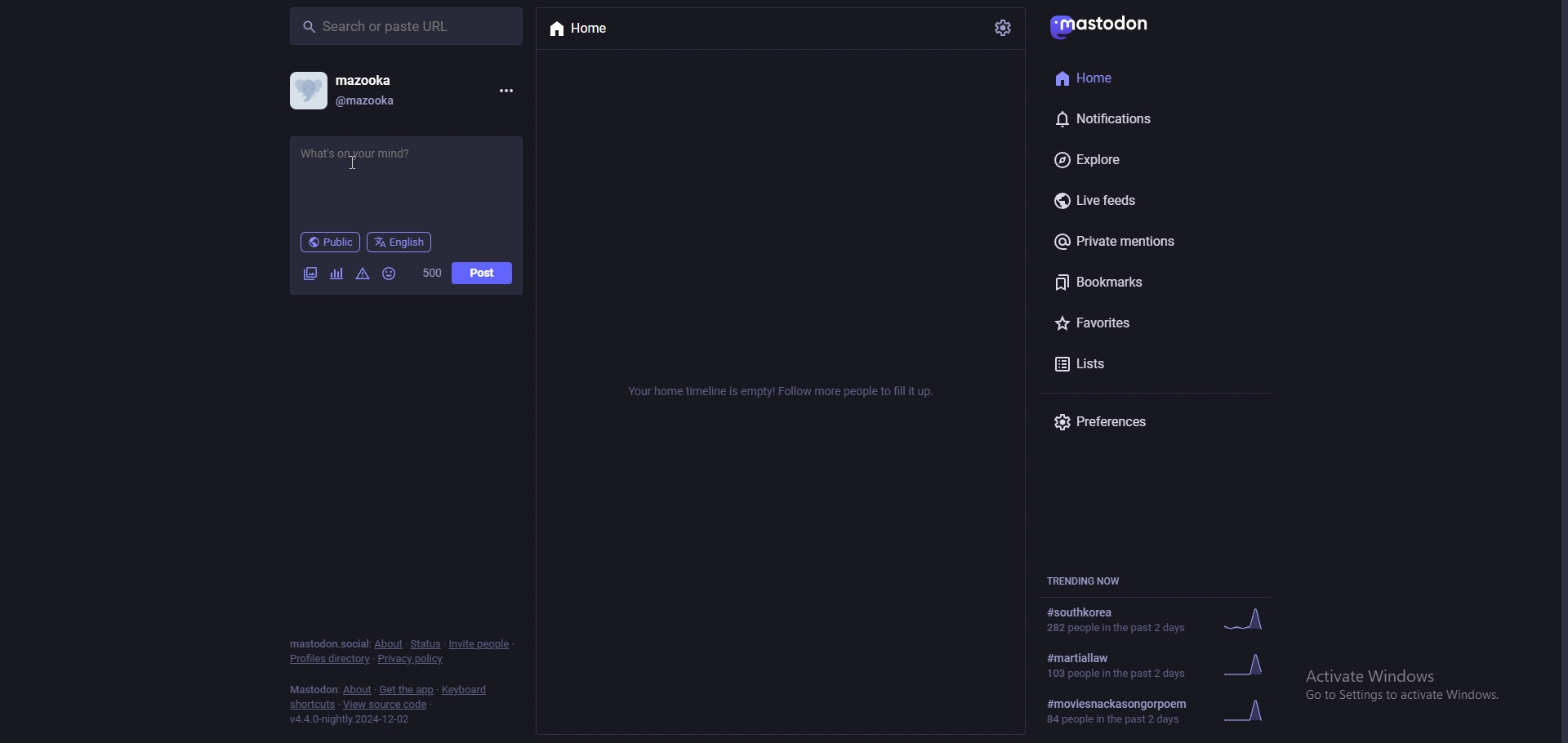 The image size is (1568, 743). Describe the element at coordinates (388, 274) in the screenshot. I see `emoji` at that location.